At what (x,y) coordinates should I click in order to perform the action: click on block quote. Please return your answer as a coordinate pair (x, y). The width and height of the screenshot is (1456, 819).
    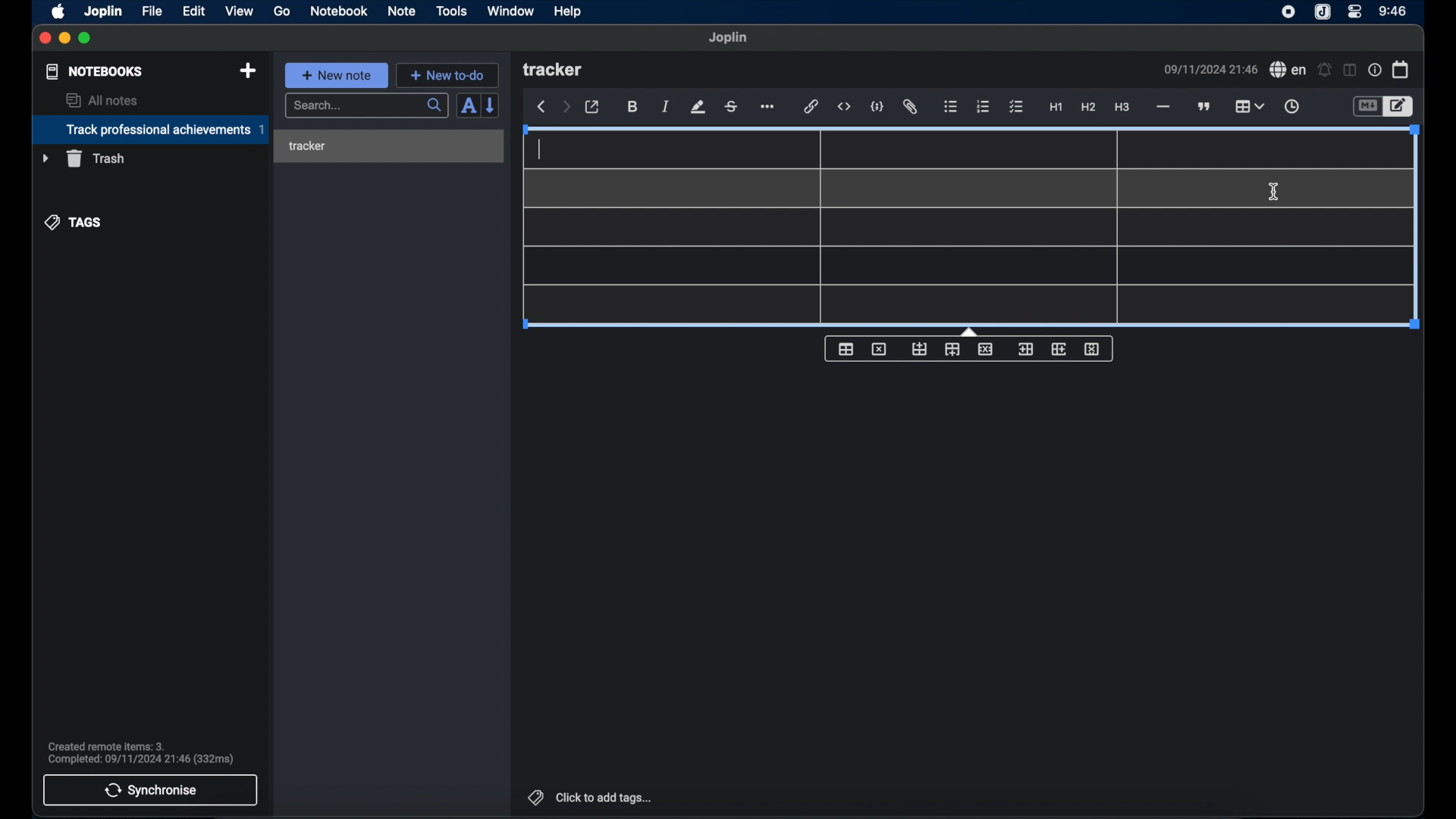
    Looking at the image, I should click on (1205, 106).